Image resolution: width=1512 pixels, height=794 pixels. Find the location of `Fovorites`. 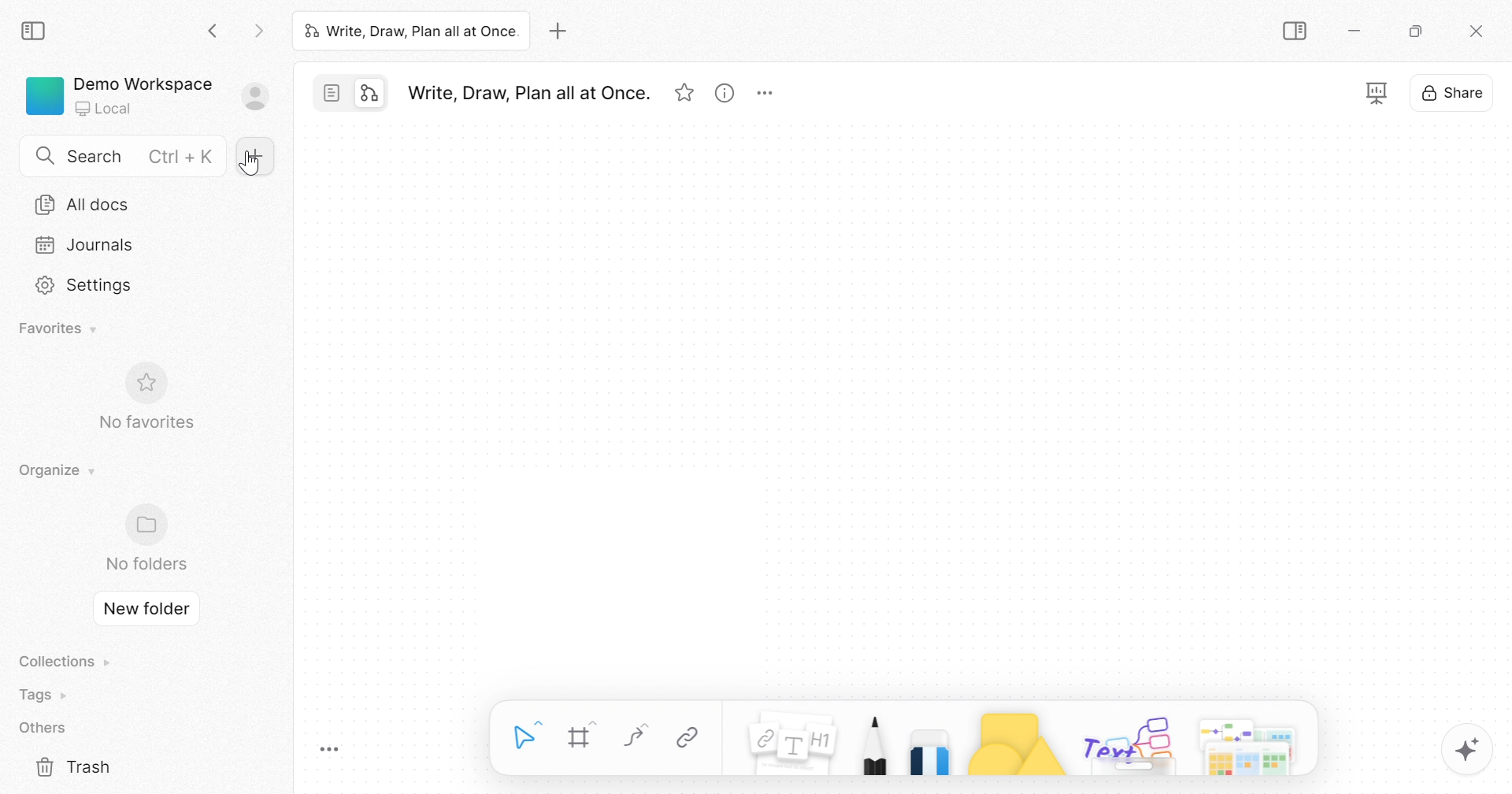

Fovorites is located at coordinates (57, 327).